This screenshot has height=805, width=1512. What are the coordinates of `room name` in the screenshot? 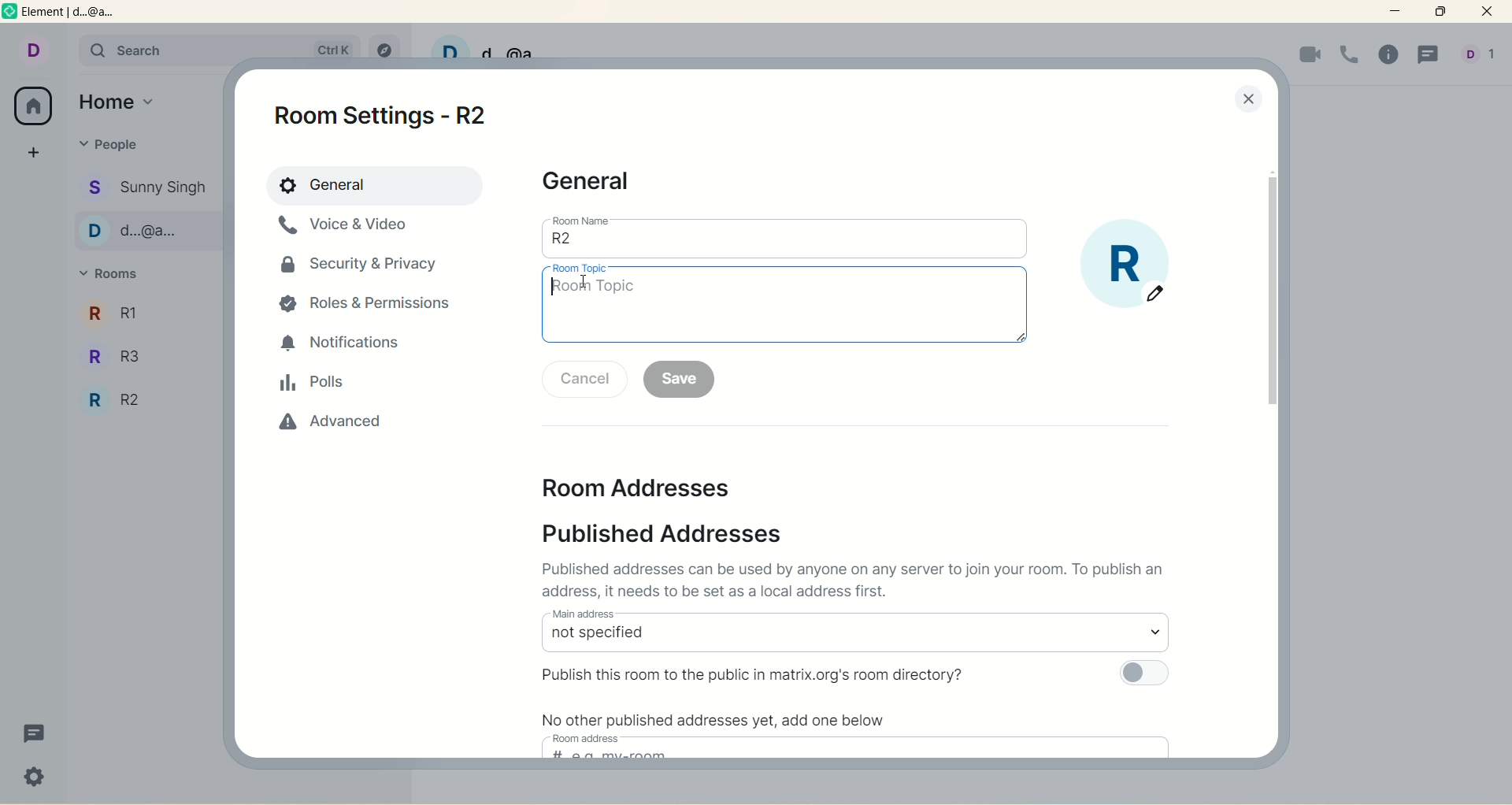 It's located at (785, 245).